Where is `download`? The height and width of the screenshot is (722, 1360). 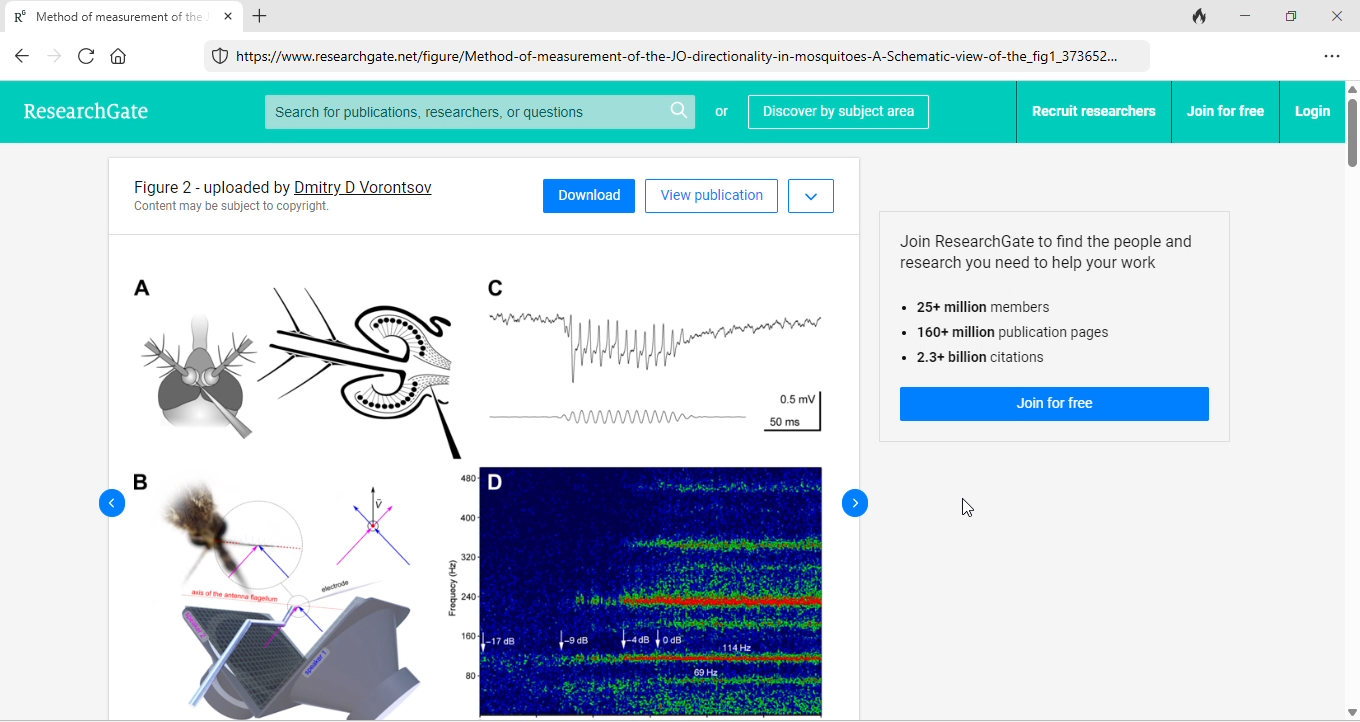
download is located at coordinates (590, 195).